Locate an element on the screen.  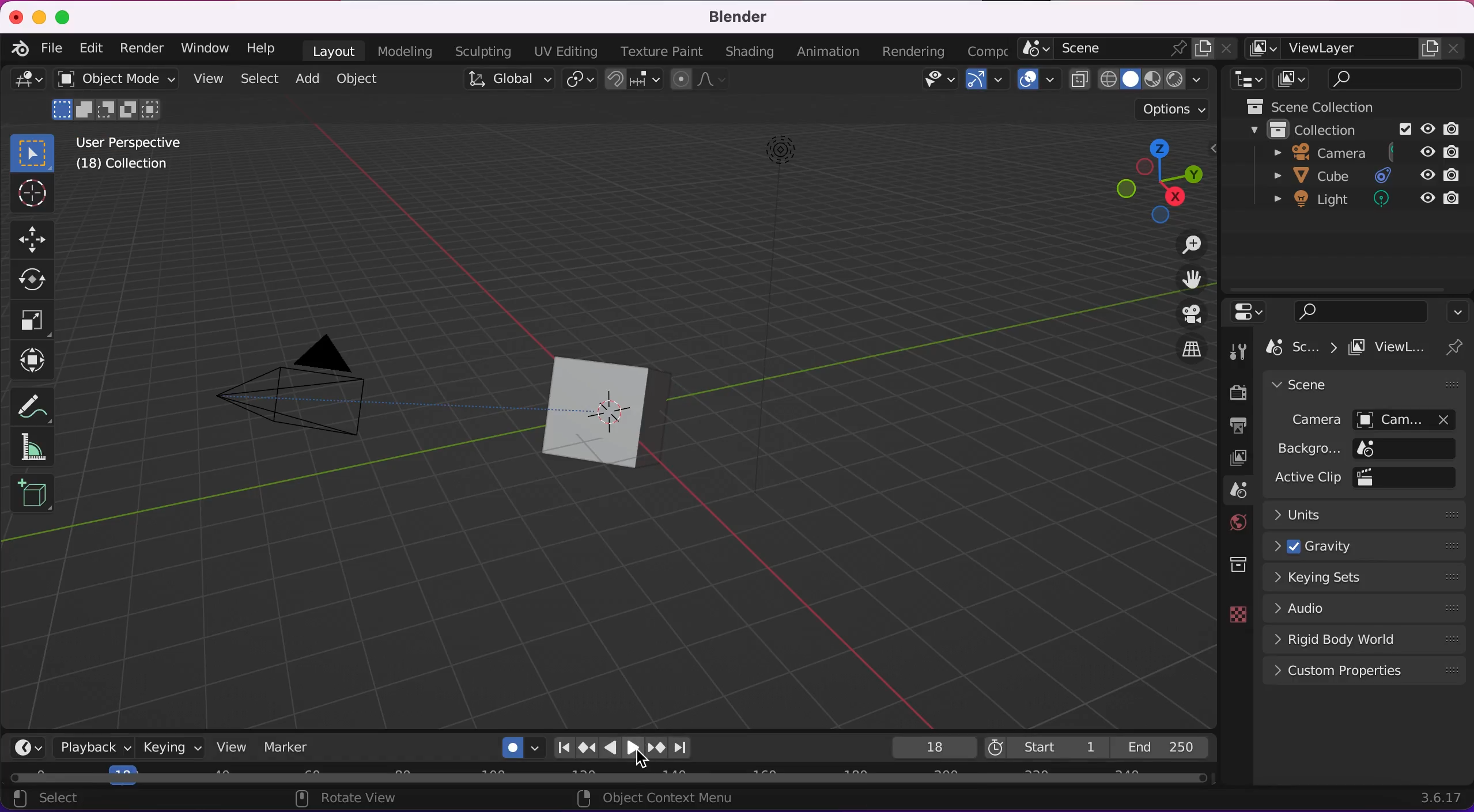
marker is located at coordinates (288, 748).